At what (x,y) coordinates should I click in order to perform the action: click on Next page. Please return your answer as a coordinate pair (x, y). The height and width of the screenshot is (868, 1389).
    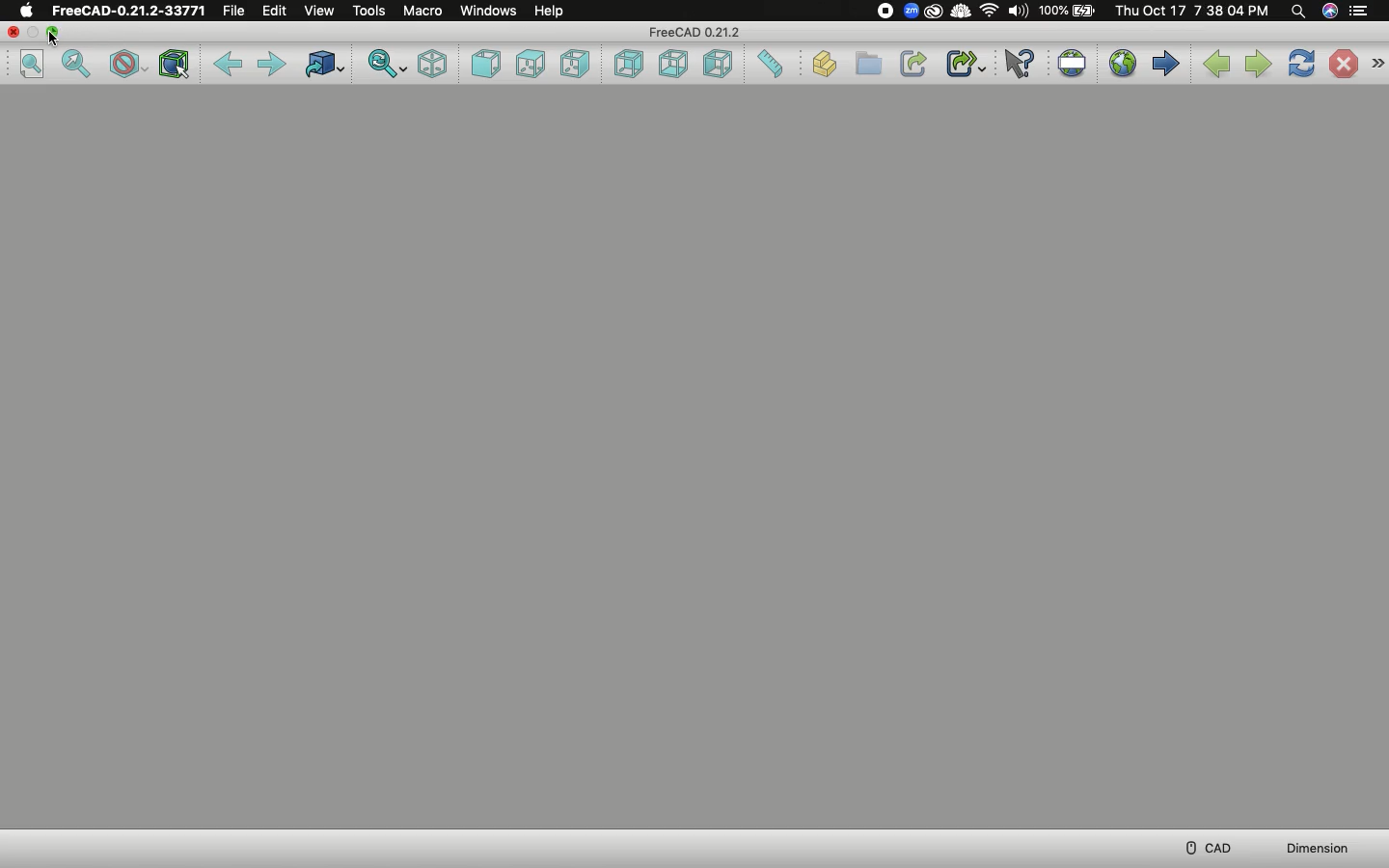
    Looking at the image, I should click on (1258, 64).